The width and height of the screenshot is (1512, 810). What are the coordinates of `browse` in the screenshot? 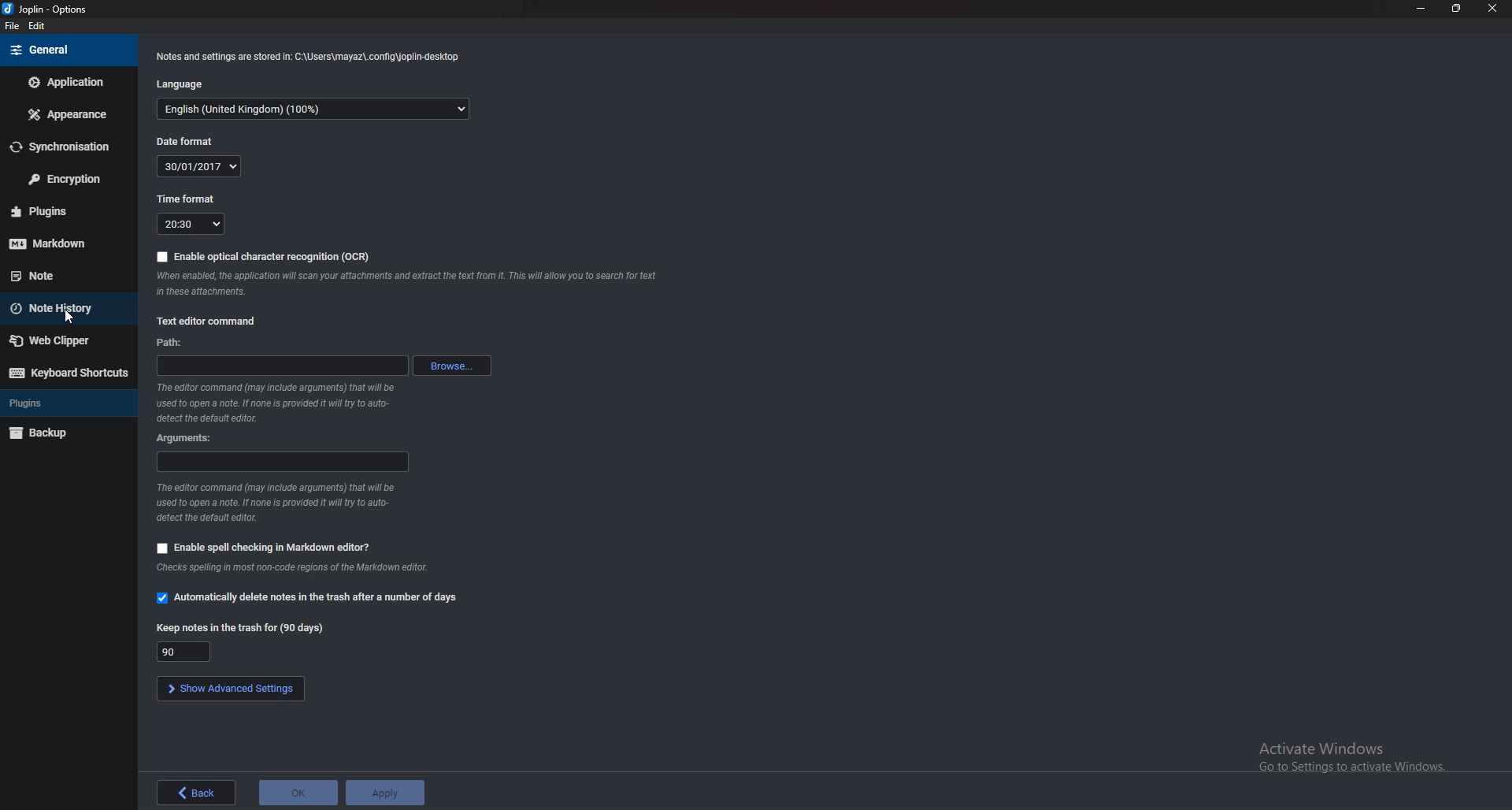 It's located at (456, 365).